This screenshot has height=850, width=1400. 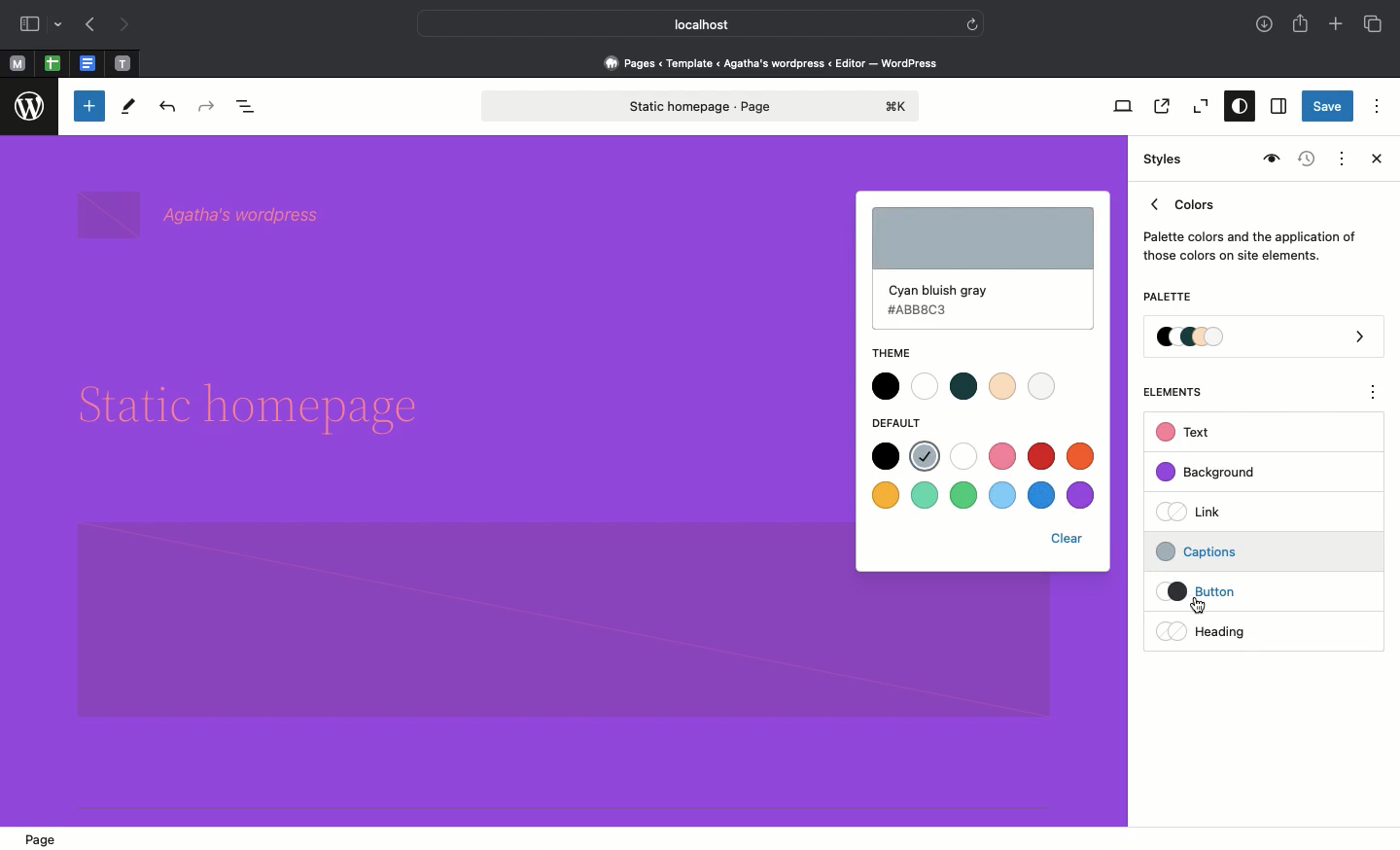 What do you see at coordinates (52, 64) in the screenshot?
I see `Pinned tab` at bounding box center [52, 64].